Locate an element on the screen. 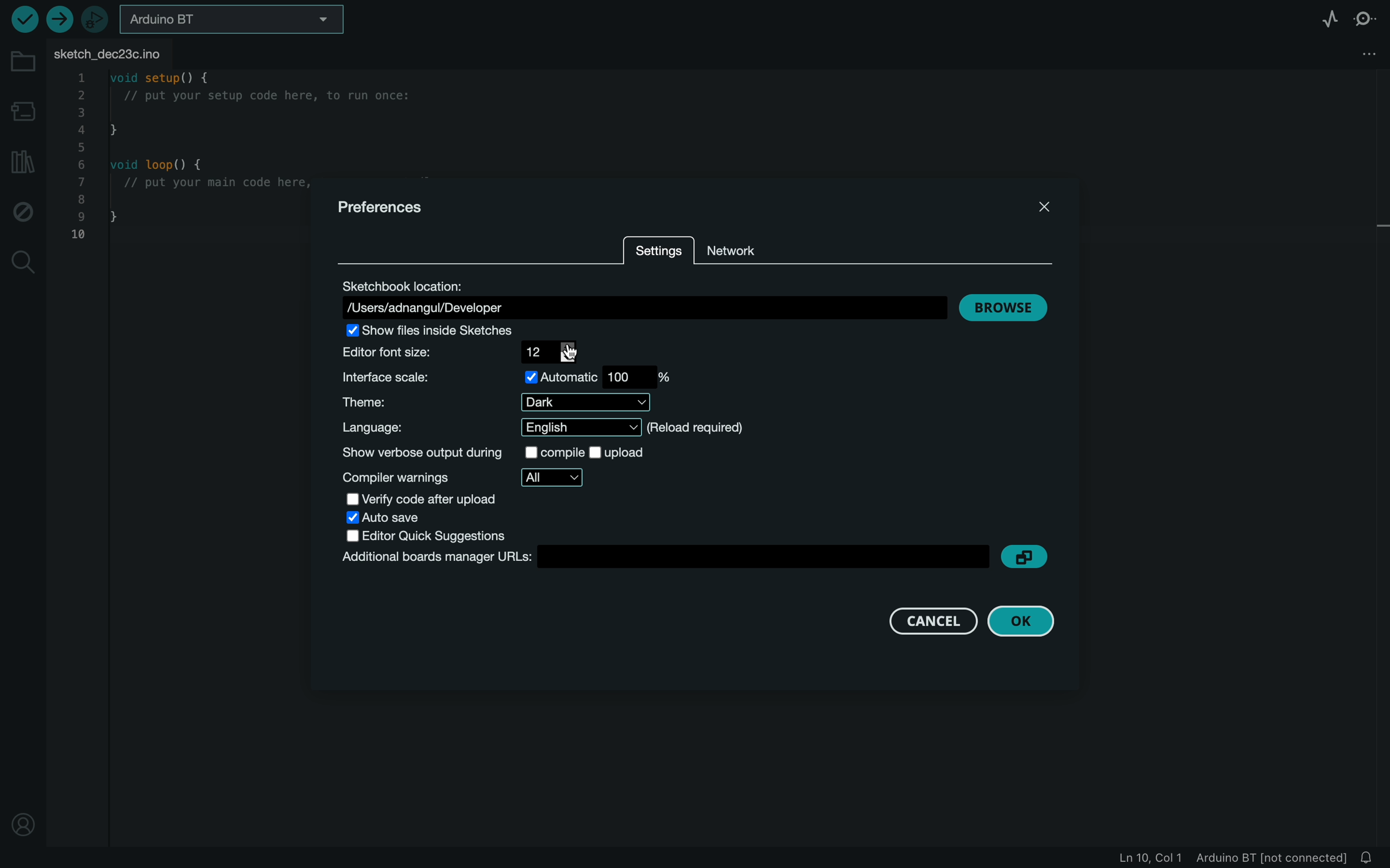  browse is located at coordinates (1004, 307).